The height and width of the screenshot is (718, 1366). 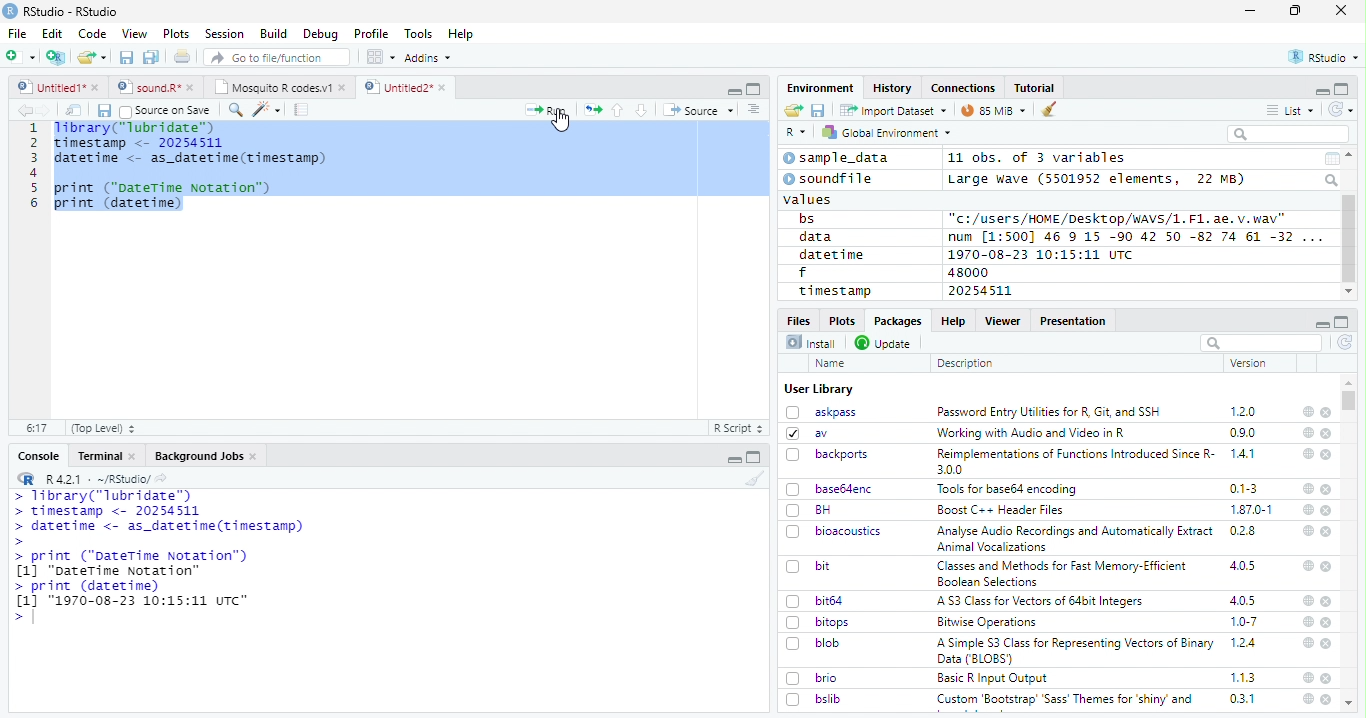 What do you see at coordinates (1245, 411) in the screenshot?
I see `1.2.0` at bounding box center [1245, 411].